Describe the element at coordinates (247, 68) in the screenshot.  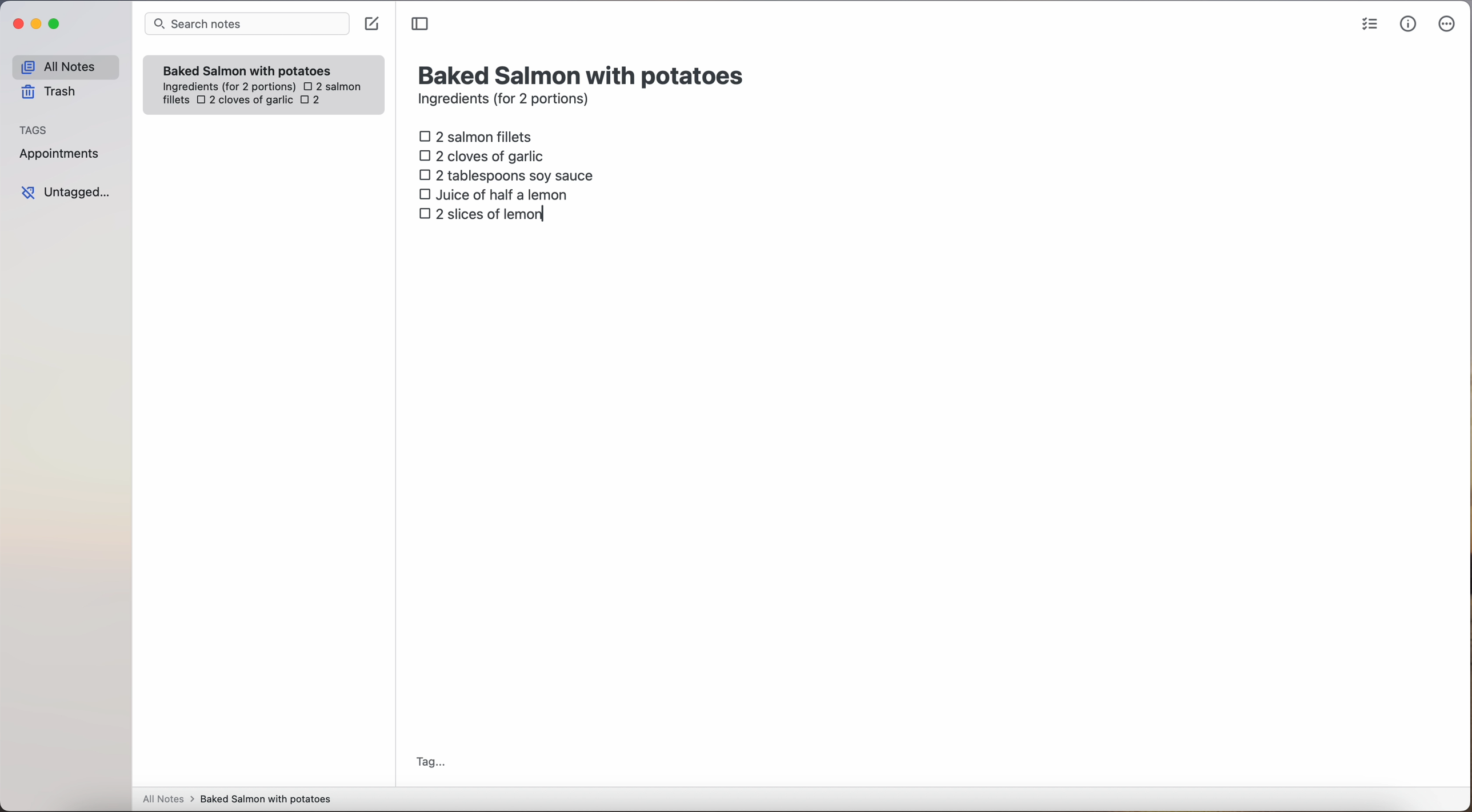
I see `Baked Salmon with potatoes` at that location.